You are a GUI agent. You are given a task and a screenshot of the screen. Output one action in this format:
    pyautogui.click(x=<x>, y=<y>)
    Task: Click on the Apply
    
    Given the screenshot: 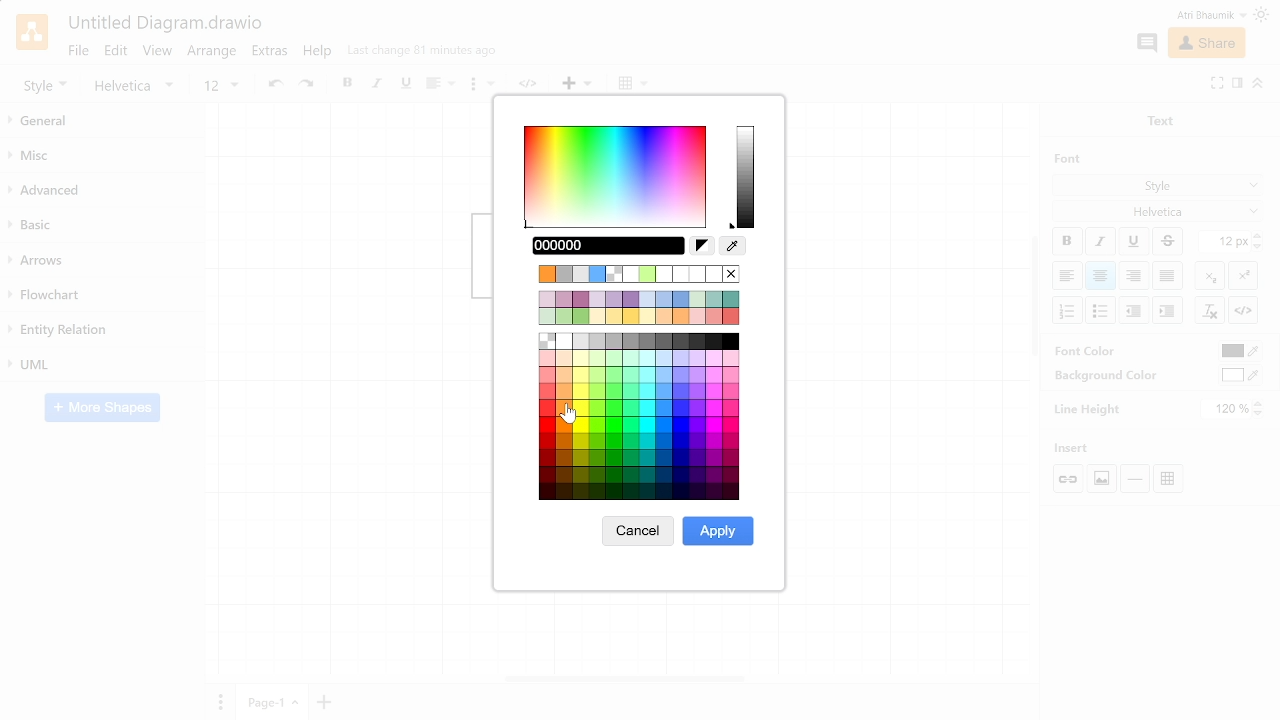 What is the action you would take?
    pyautogui.click(x=718, y=531)
    